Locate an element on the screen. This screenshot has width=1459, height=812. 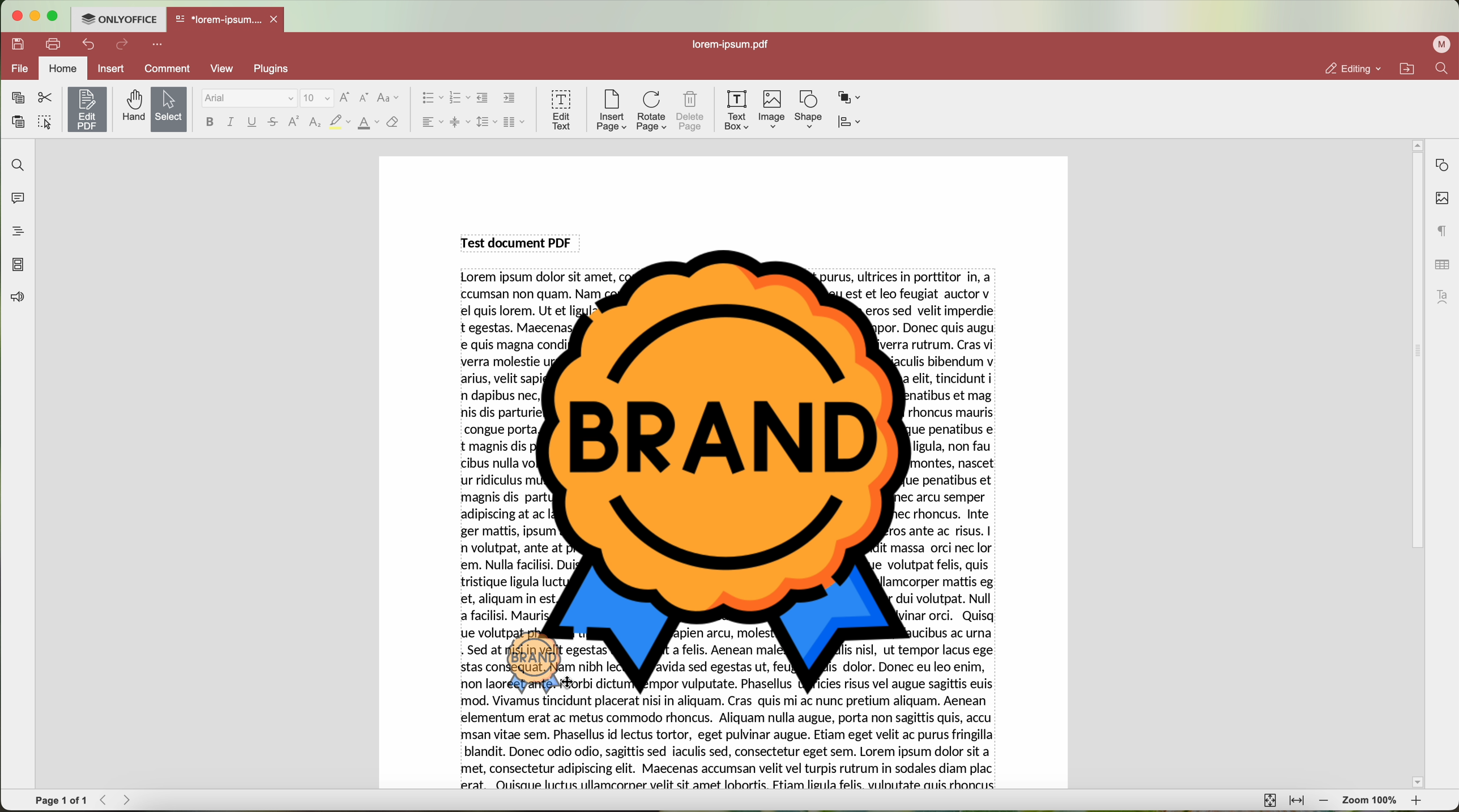
scroll bar is located at coordinates (1411, 464).